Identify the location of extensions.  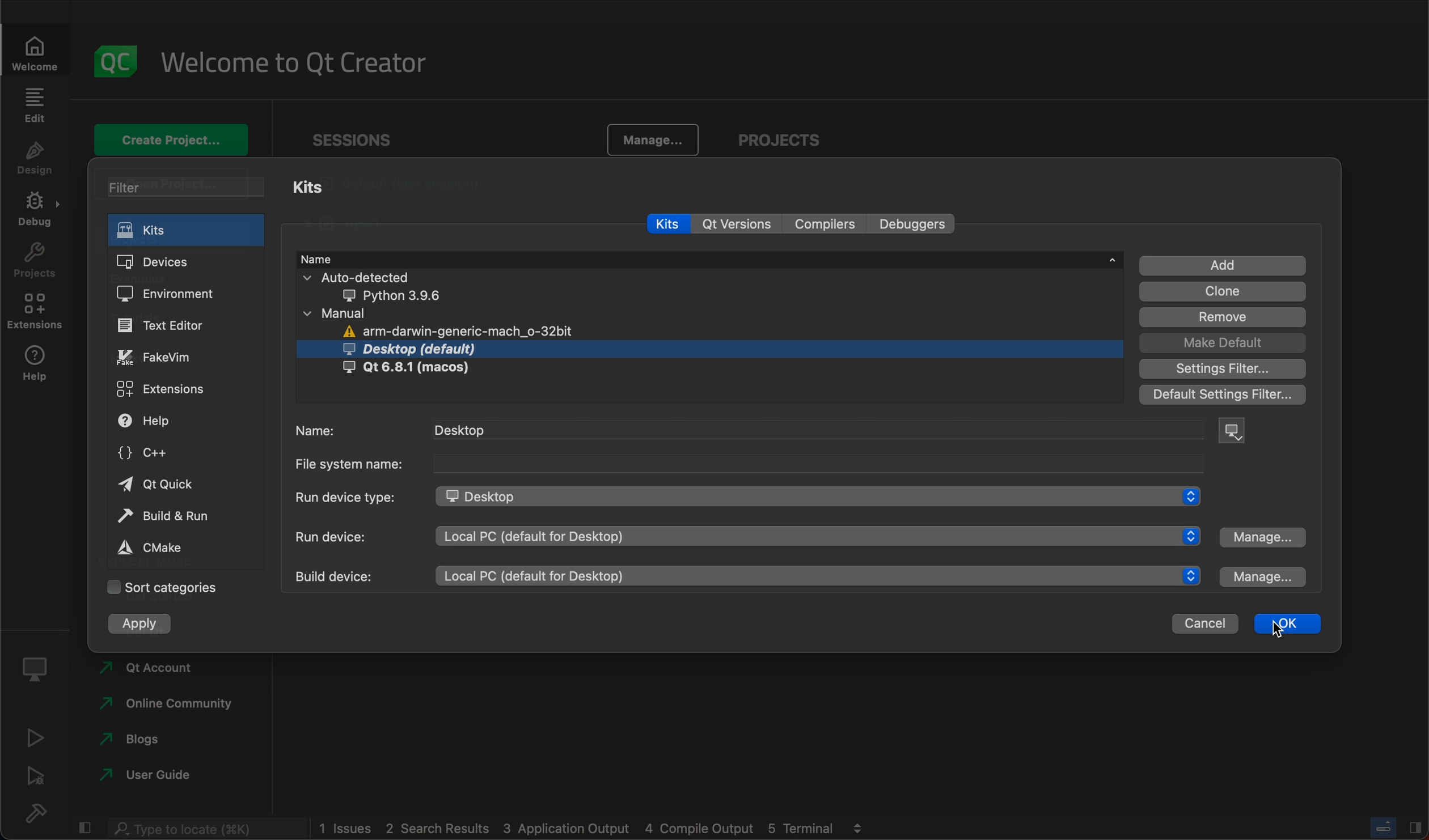
(164, 392).